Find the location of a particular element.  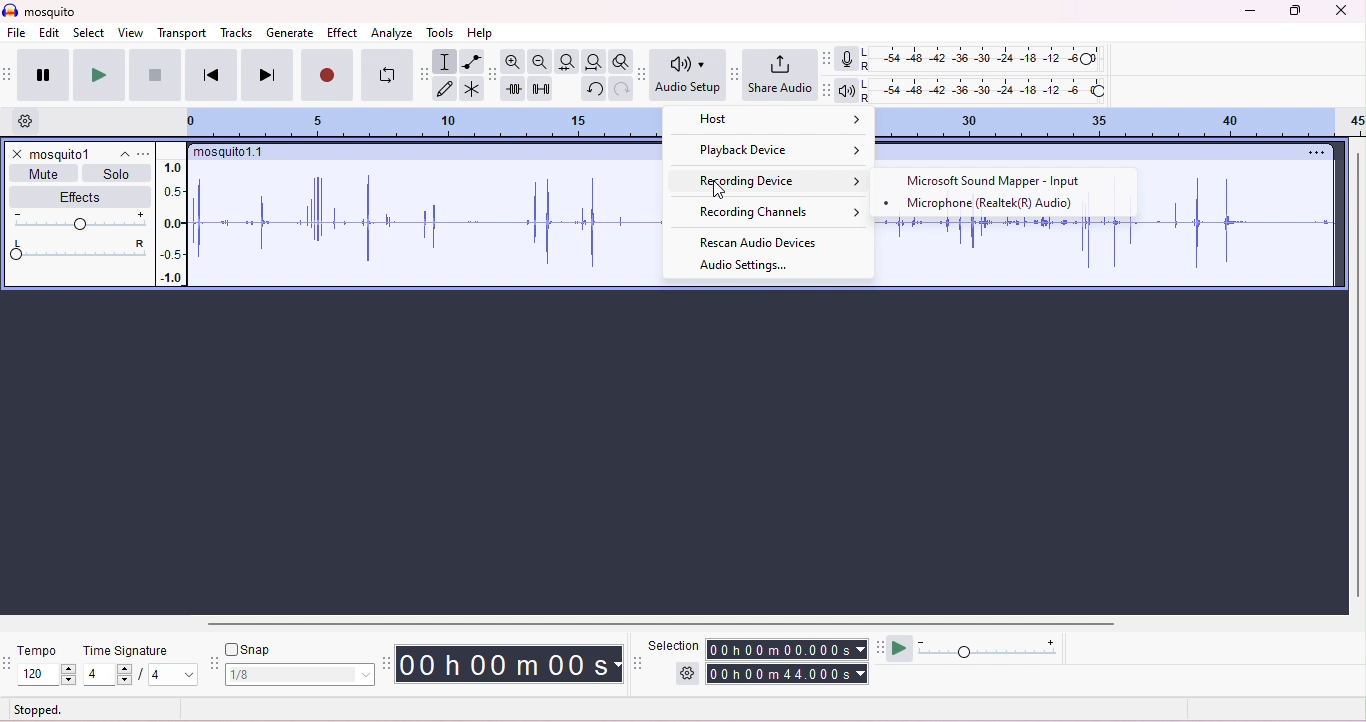

silence selection is located at coordinates (542, 90).